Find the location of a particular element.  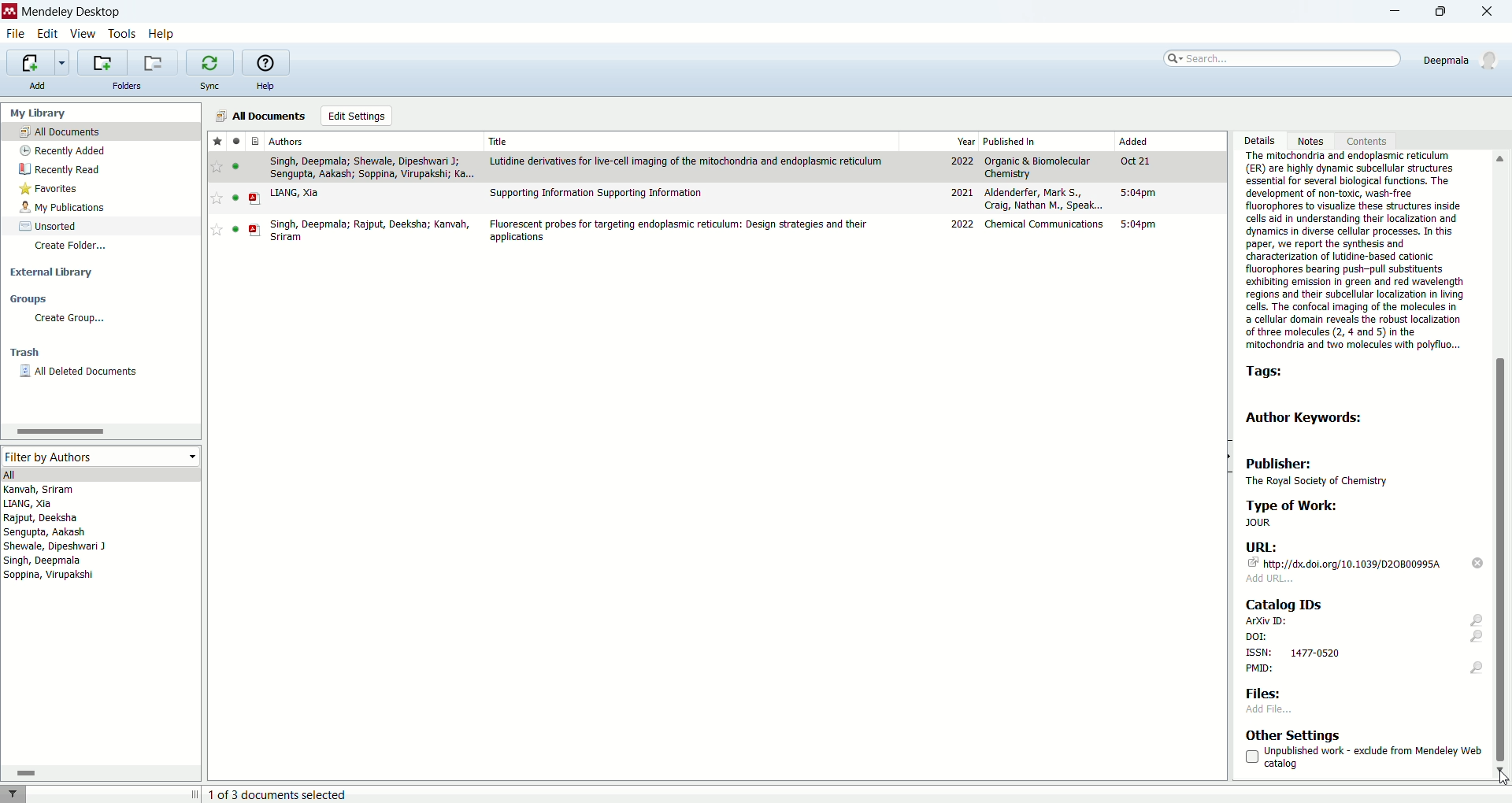

close is located at coordinates (1492, 13).